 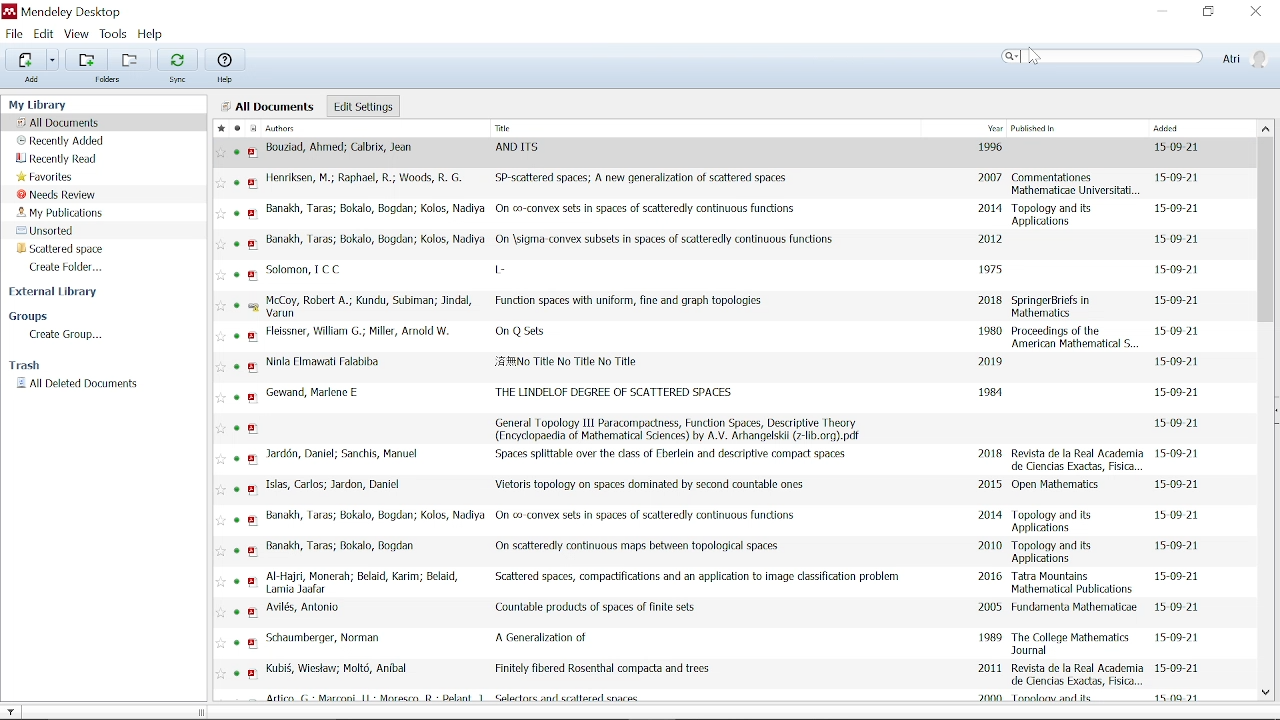 I want to click on Add to favorite, so click(x=221, y=581).